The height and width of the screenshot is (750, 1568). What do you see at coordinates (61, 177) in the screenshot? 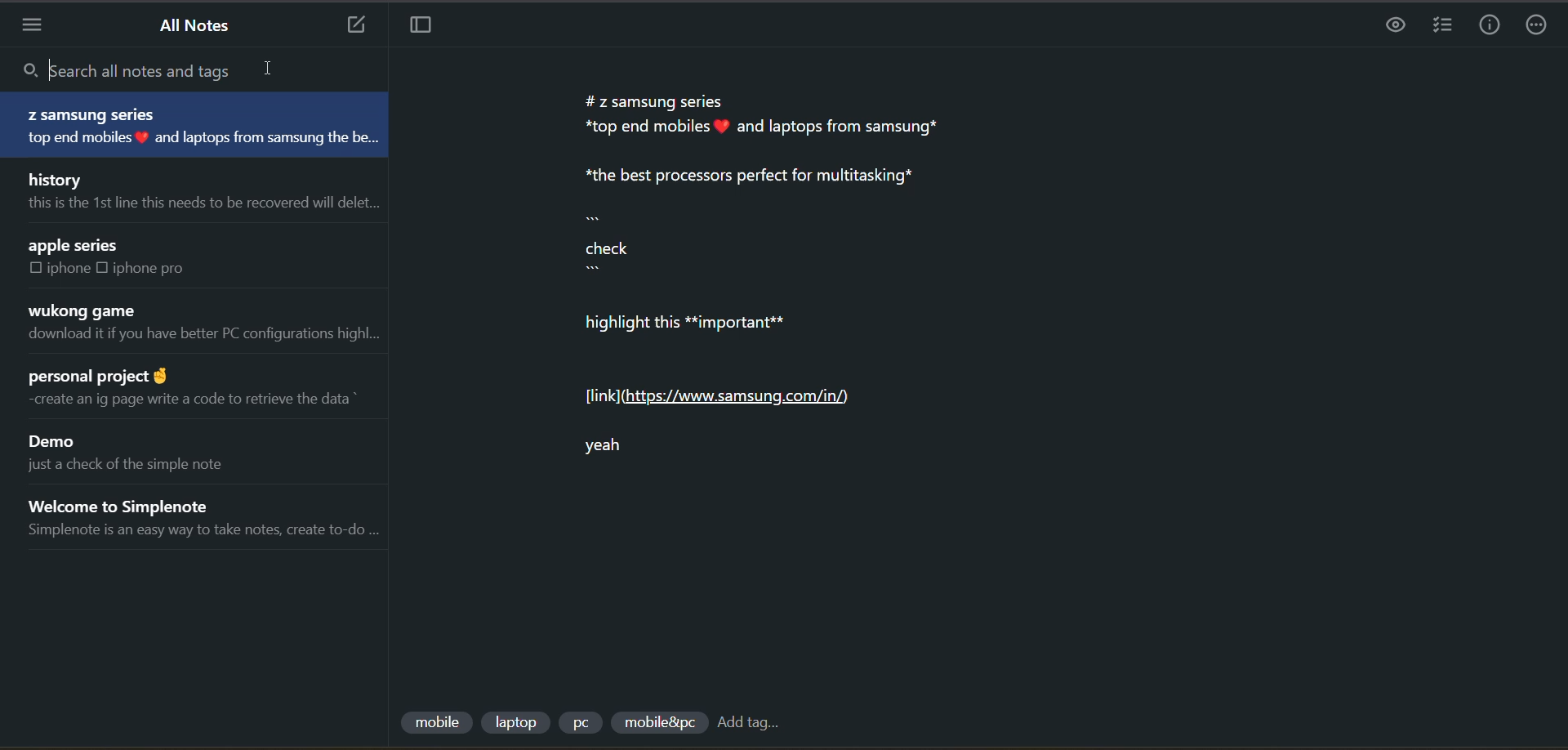
I see `history` at bounding box center [61, 177].